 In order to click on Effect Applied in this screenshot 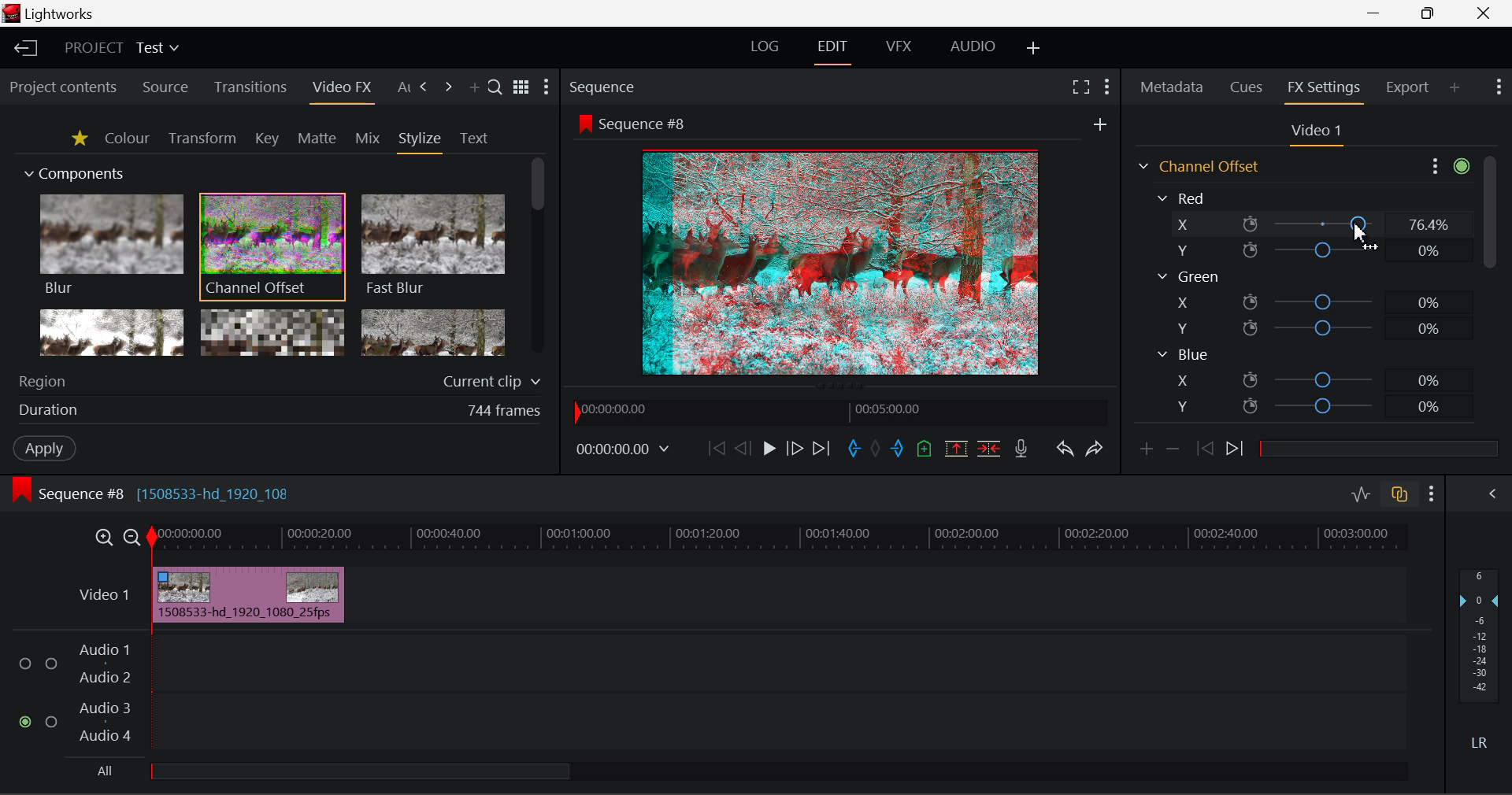, I will do `click(250, 592)`.